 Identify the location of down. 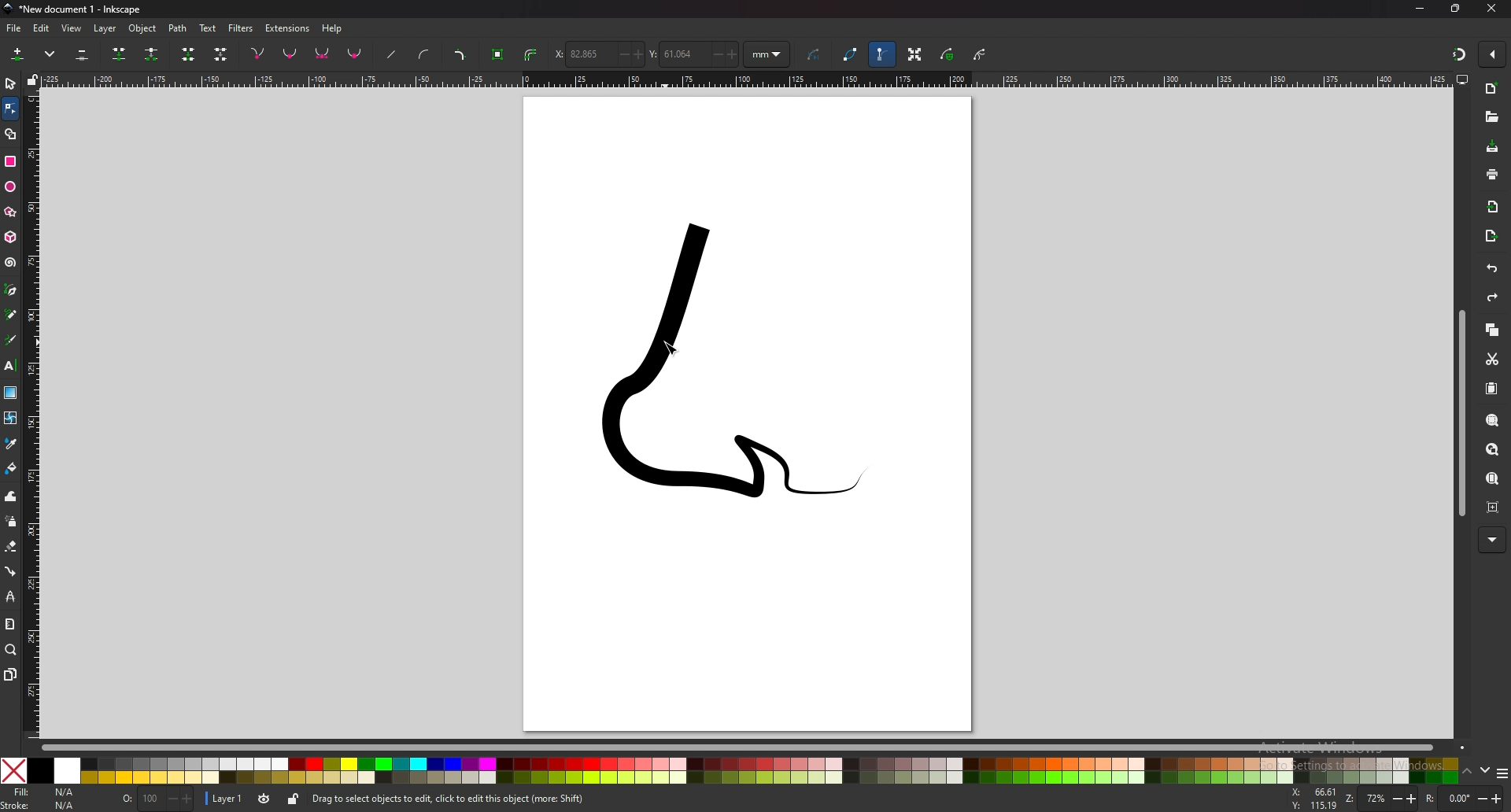
(1485, 771).